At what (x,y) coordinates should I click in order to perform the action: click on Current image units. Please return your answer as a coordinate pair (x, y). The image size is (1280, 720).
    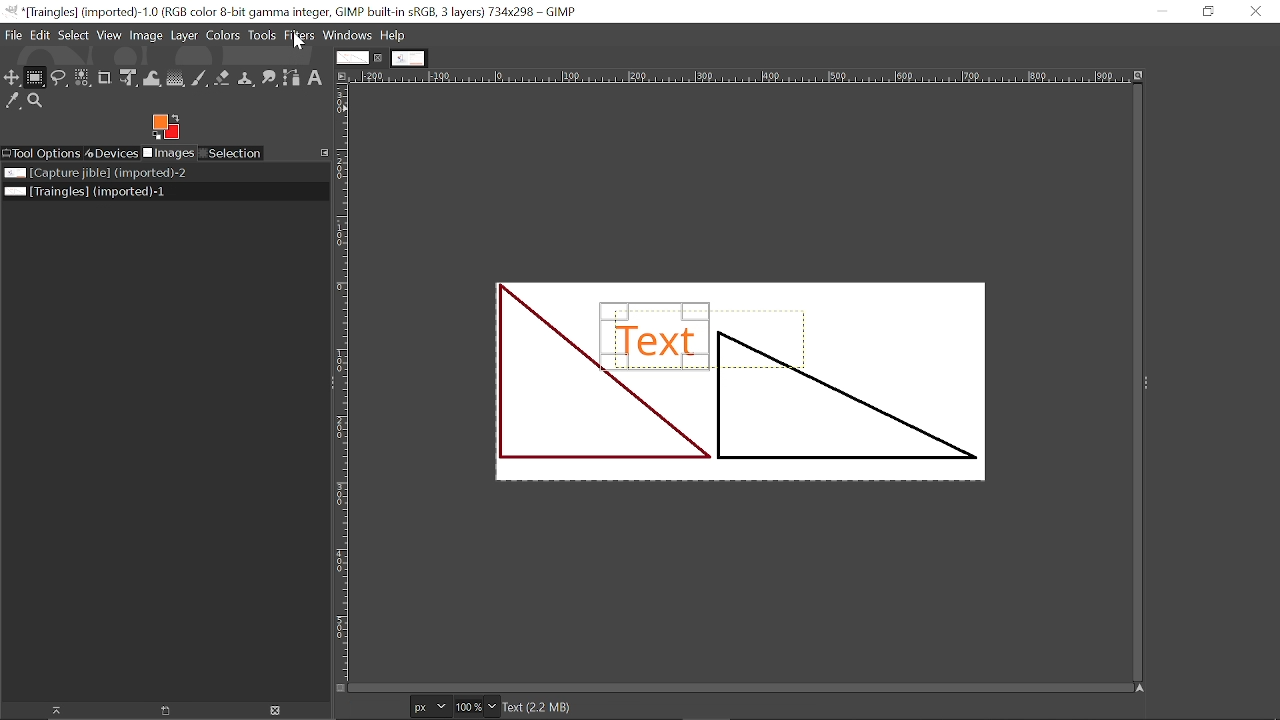
    Looking at the image, I should click on (425, 705).